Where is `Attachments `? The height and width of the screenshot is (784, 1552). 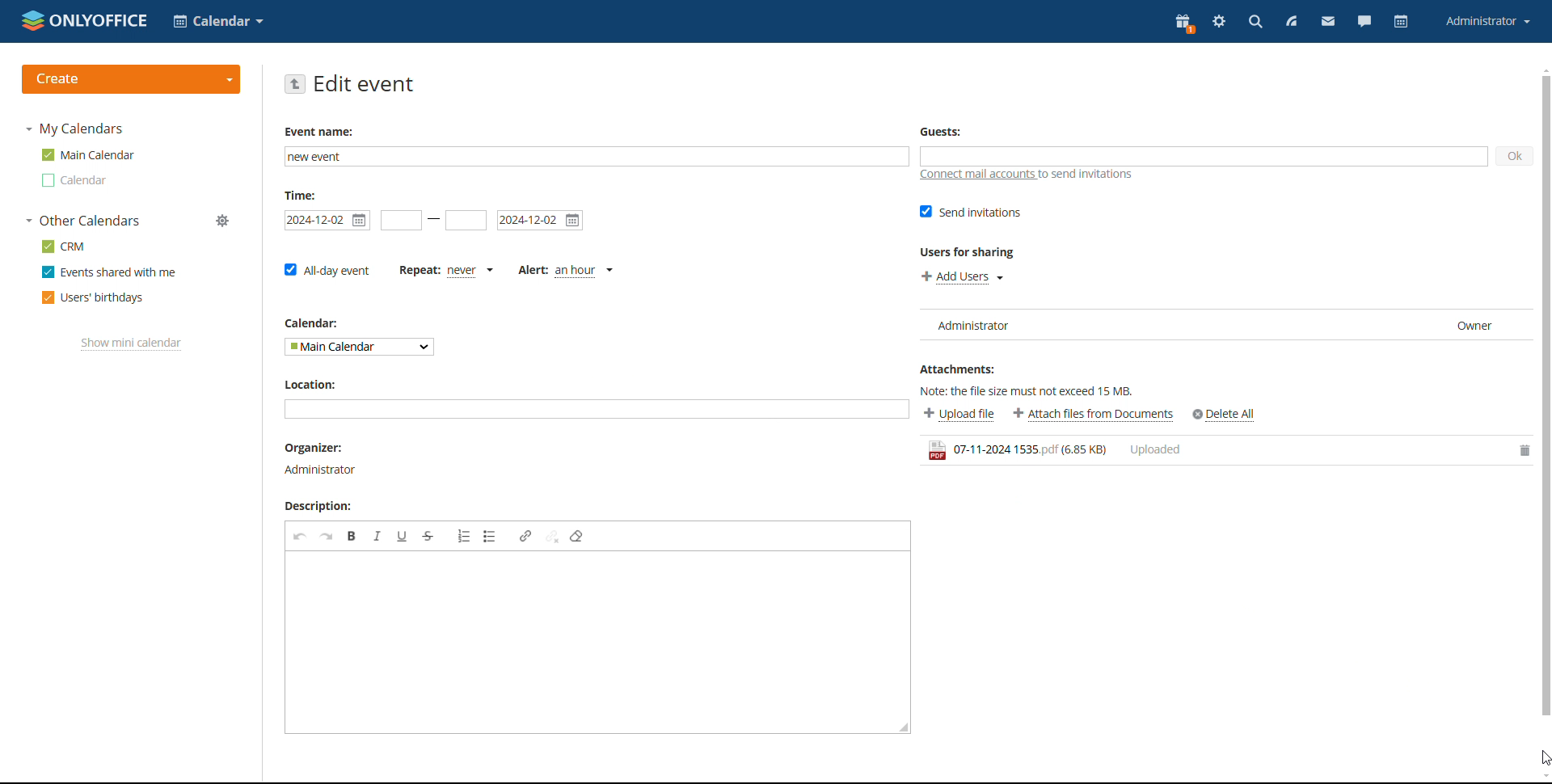
Attachments  is located at coordinates (961, 369).